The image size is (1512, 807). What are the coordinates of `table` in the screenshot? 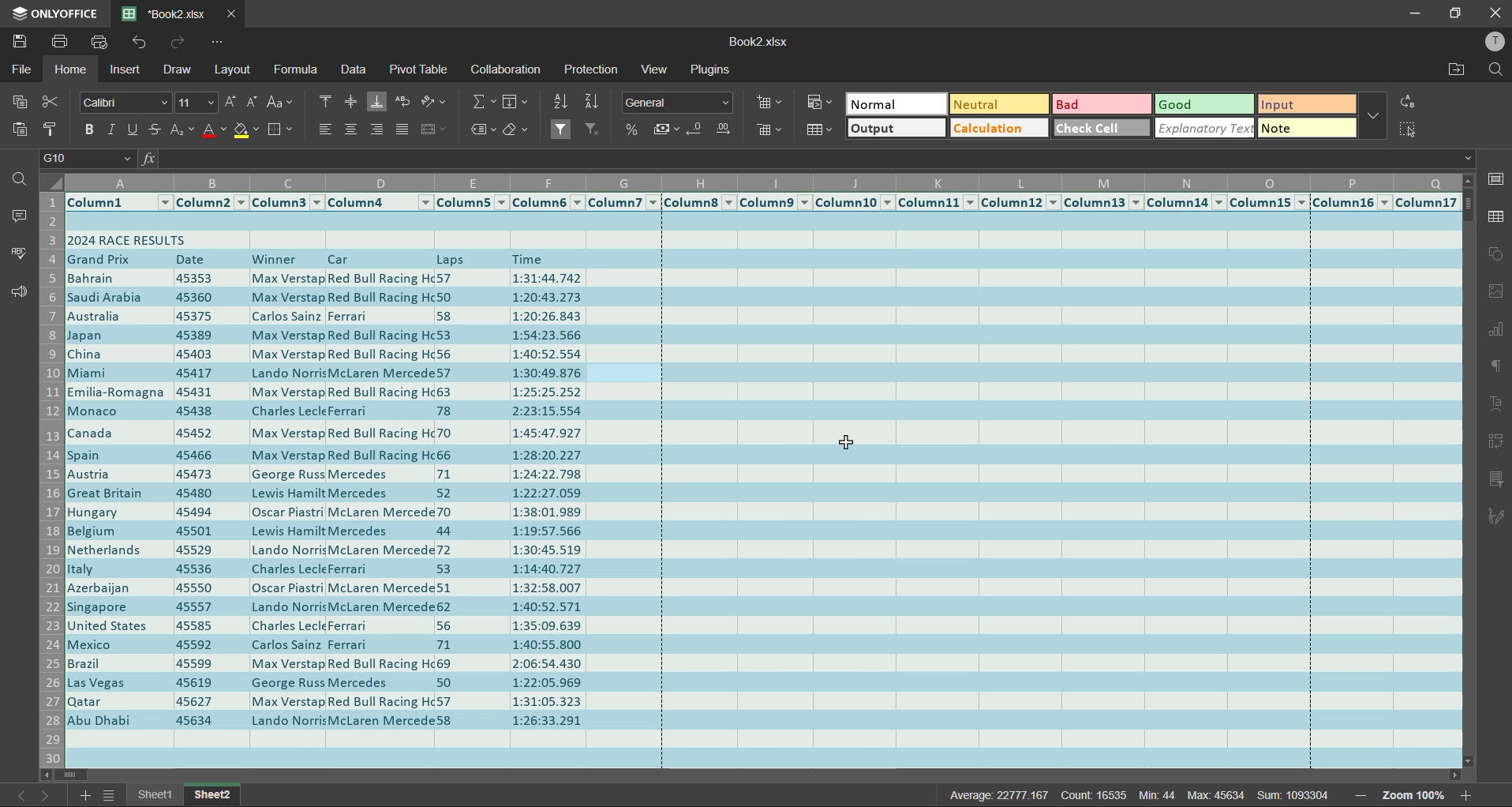 It's located at (1493, 220).